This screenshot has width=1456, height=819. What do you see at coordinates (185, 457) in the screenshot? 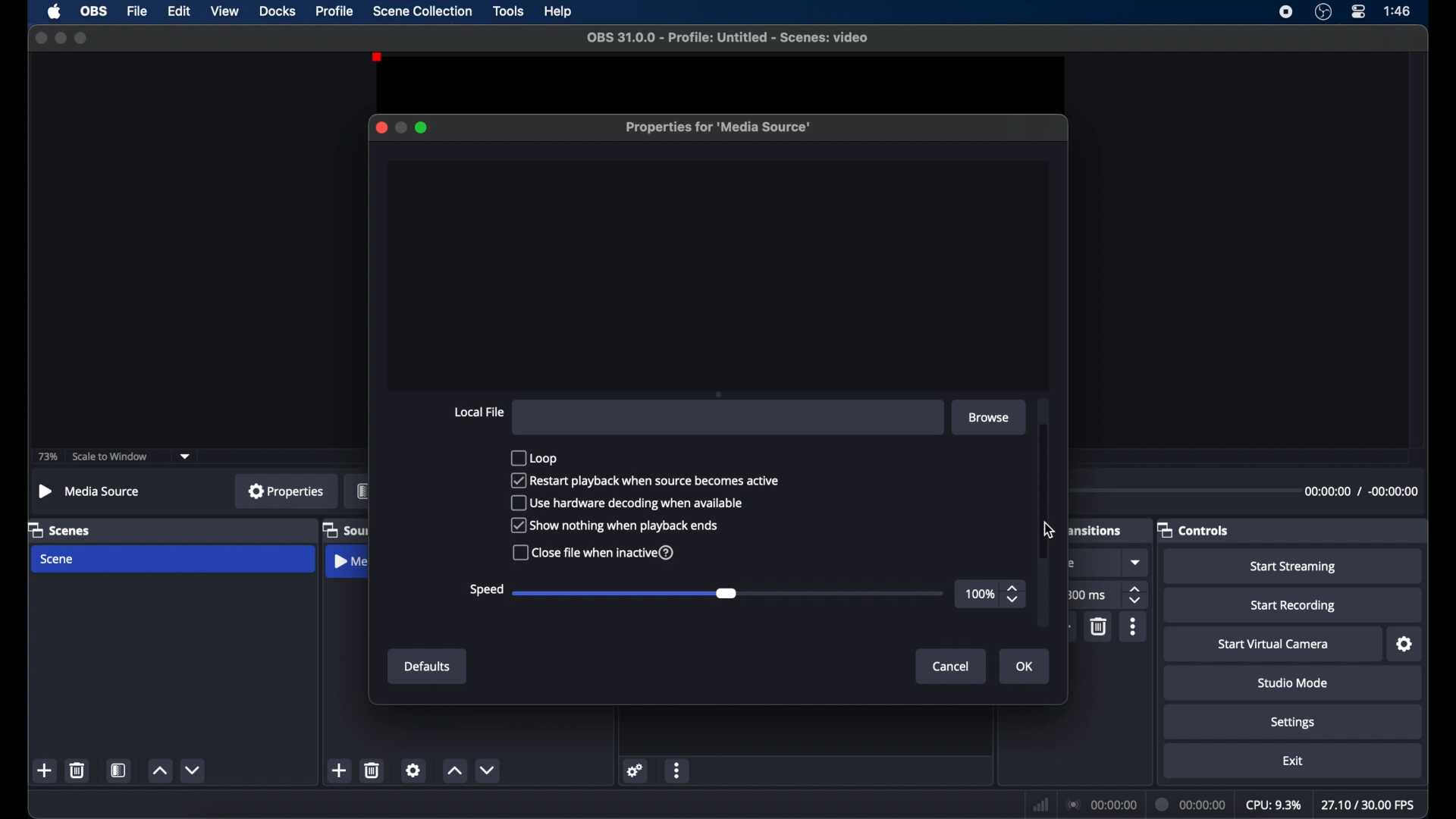
I see `dropdown` at bounding box center [185, 457].